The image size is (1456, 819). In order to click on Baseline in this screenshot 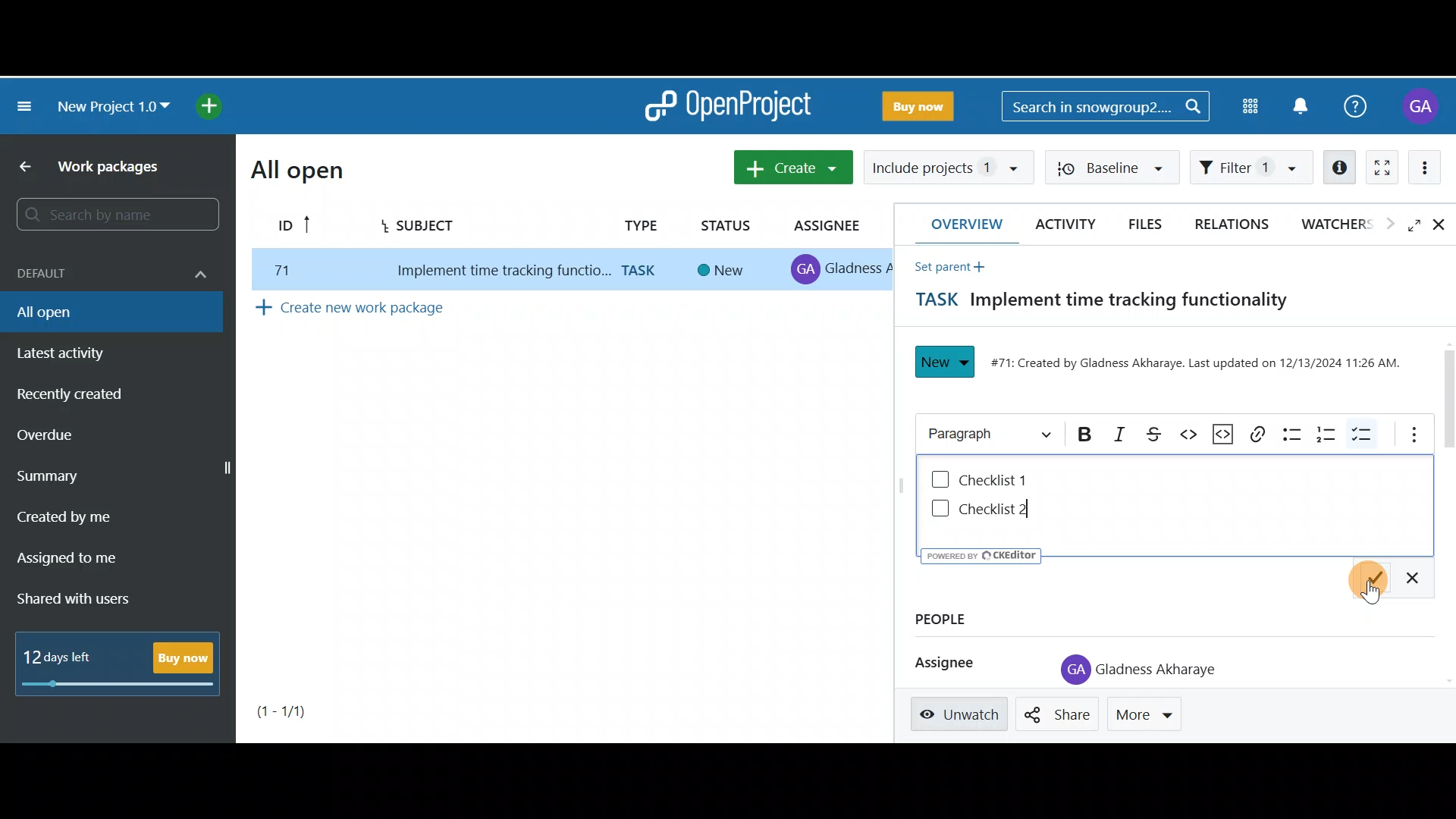, I will do `click(1119, 168)`.